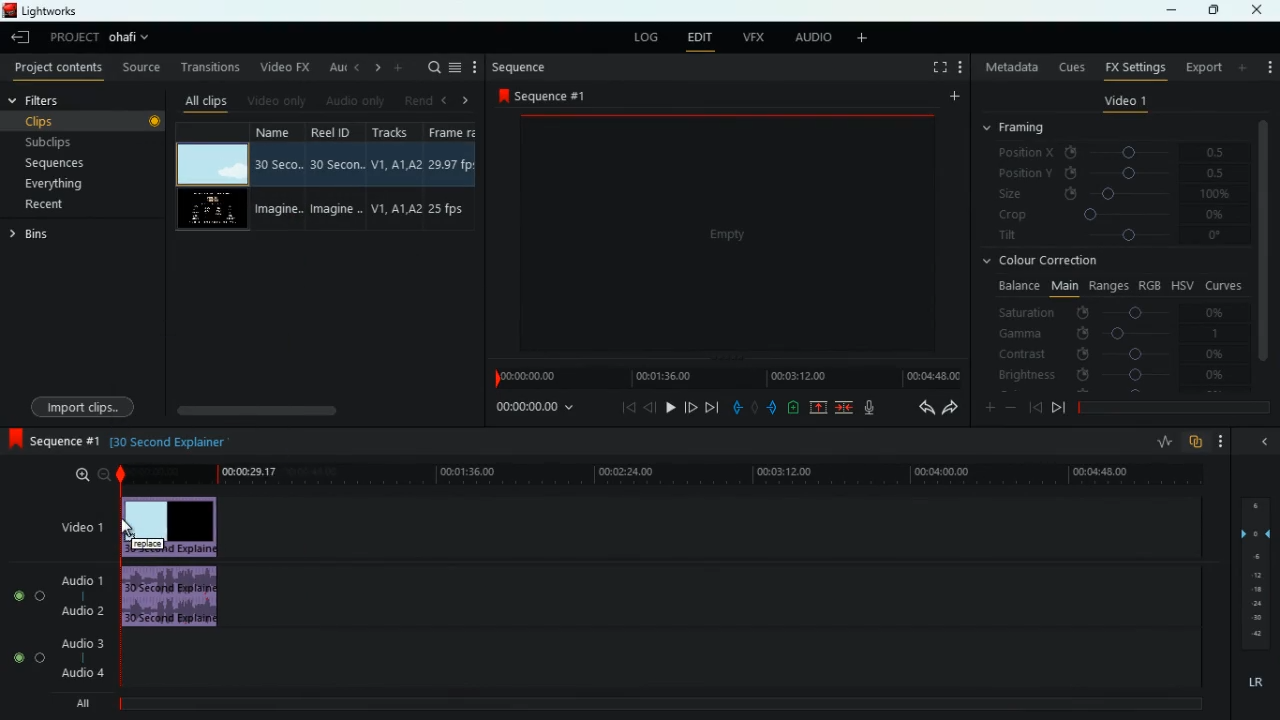  Describe the element at coordinates (1261, 443) in the screenshot. I see `close` at that location.